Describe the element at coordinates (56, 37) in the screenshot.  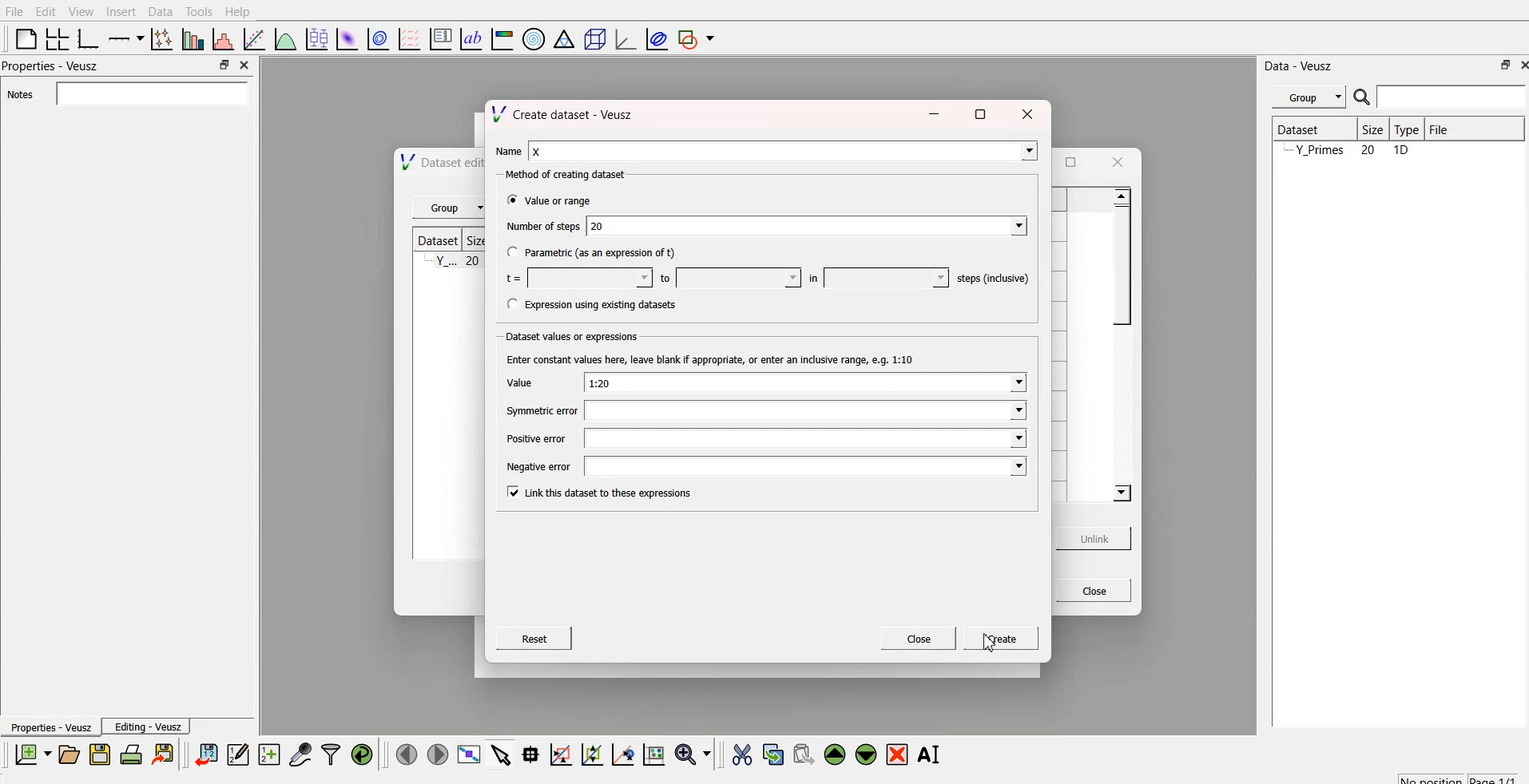
I see `arrange grid in graph` at that location.